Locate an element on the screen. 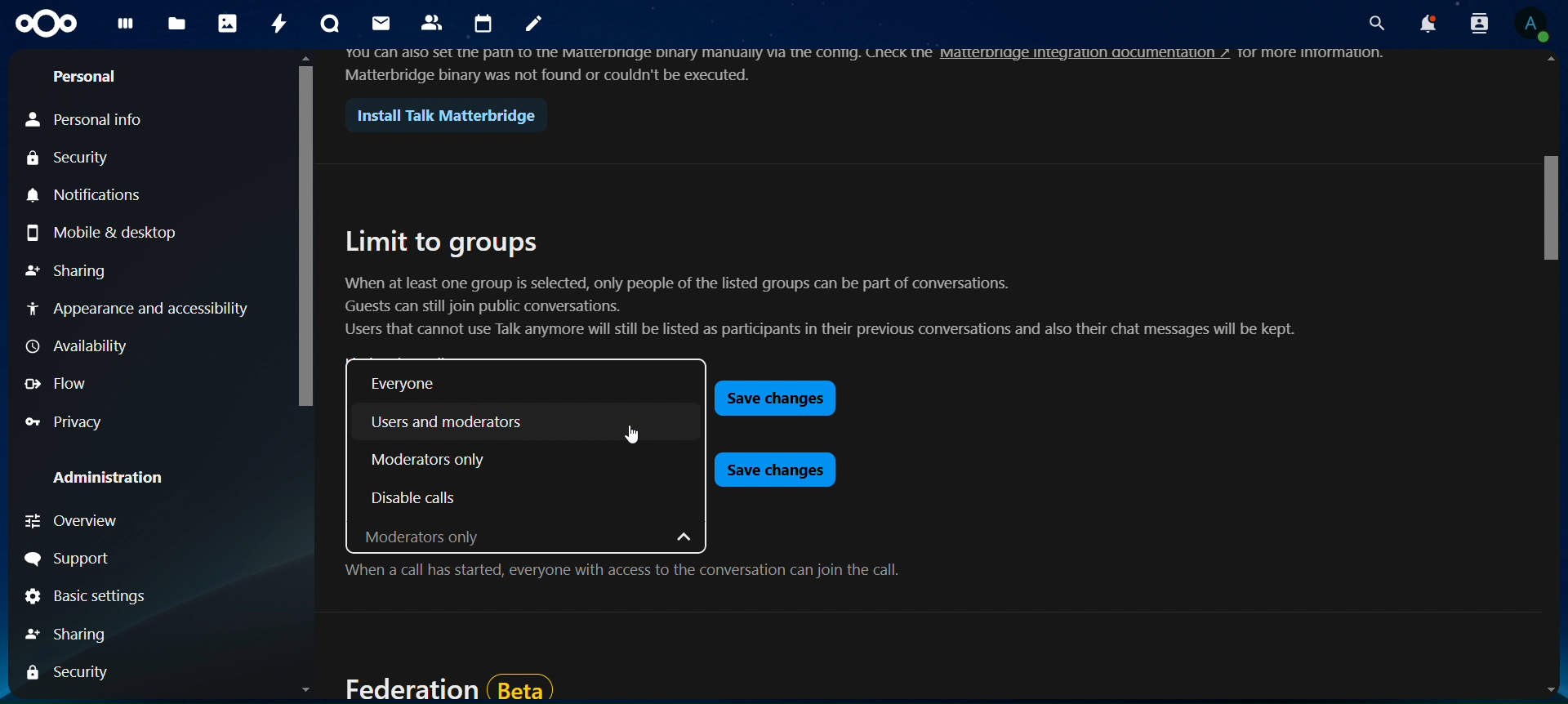 The height and width of the screenshot is (704, 1568). view profile is located at coordinates (1530, 24).